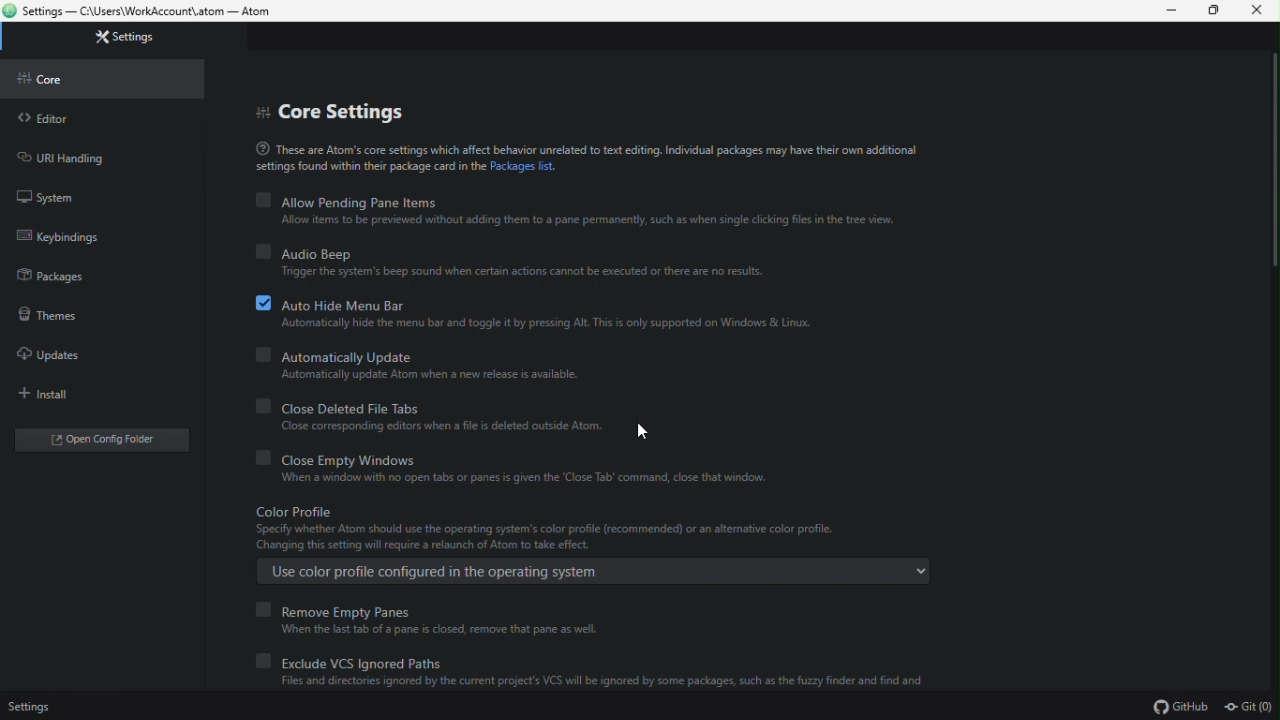  Describe the element at coordinates (336, 356) in the screenshot. I see `Automatically Update` at that location.